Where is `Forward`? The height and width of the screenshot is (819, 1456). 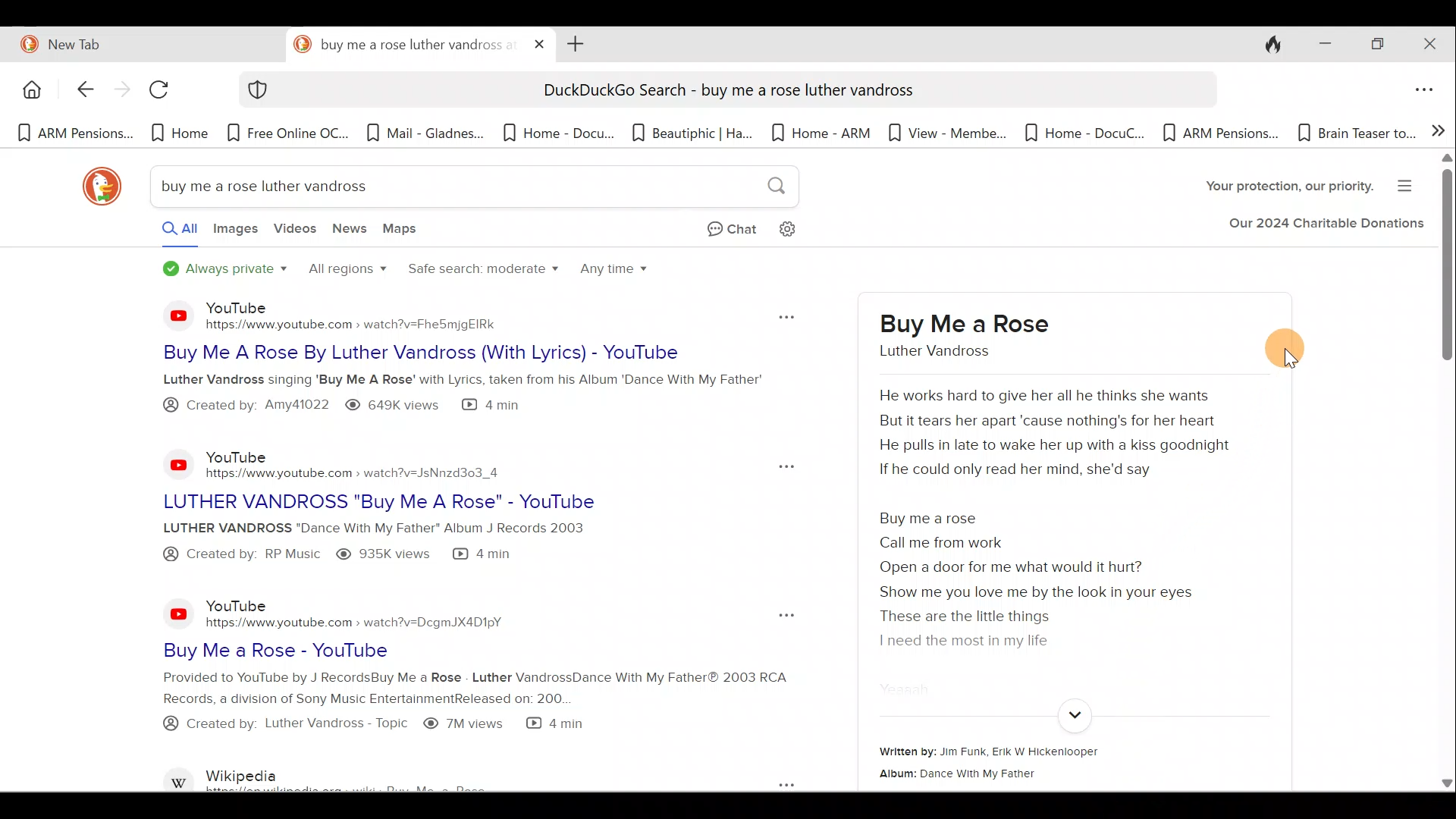
Forward is located at coordinates (120, 92).